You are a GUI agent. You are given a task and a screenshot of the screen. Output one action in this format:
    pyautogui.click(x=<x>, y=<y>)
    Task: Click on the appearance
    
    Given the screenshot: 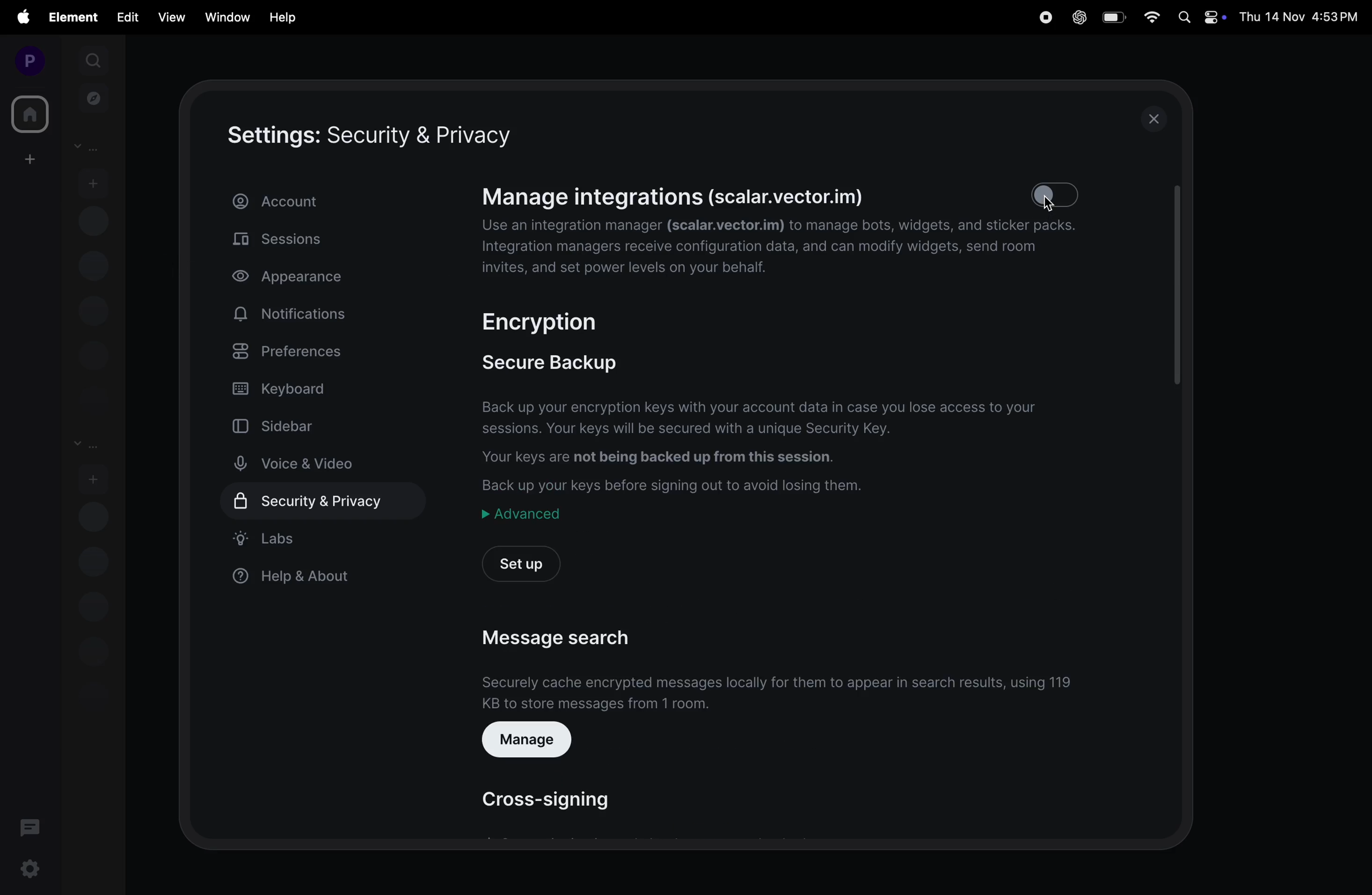 What is the action you would take?
    pyautogui.click(x=288, y=279)
    